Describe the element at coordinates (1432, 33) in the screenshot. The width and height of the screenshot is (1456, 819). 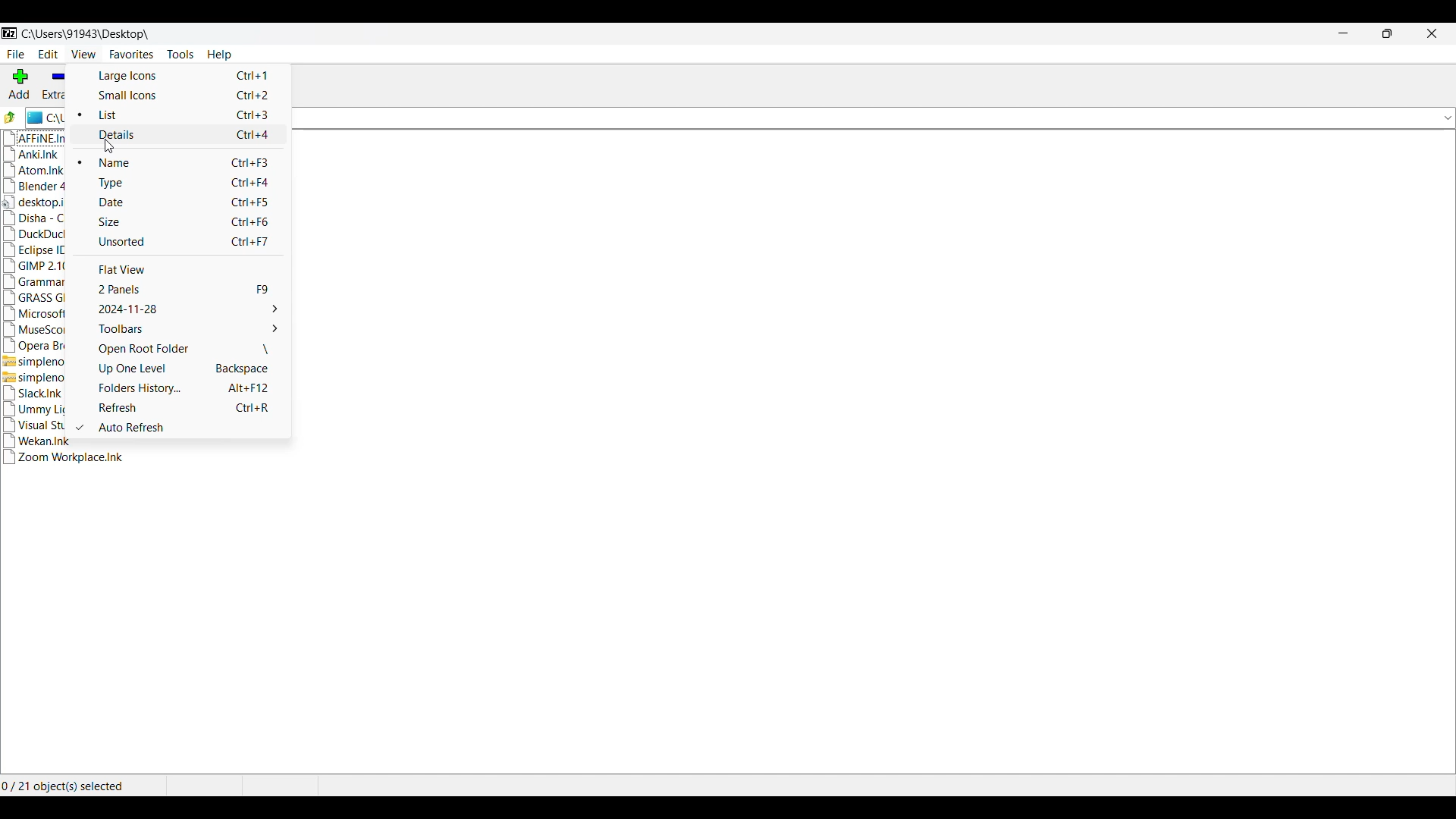
I see `Close` at that location.